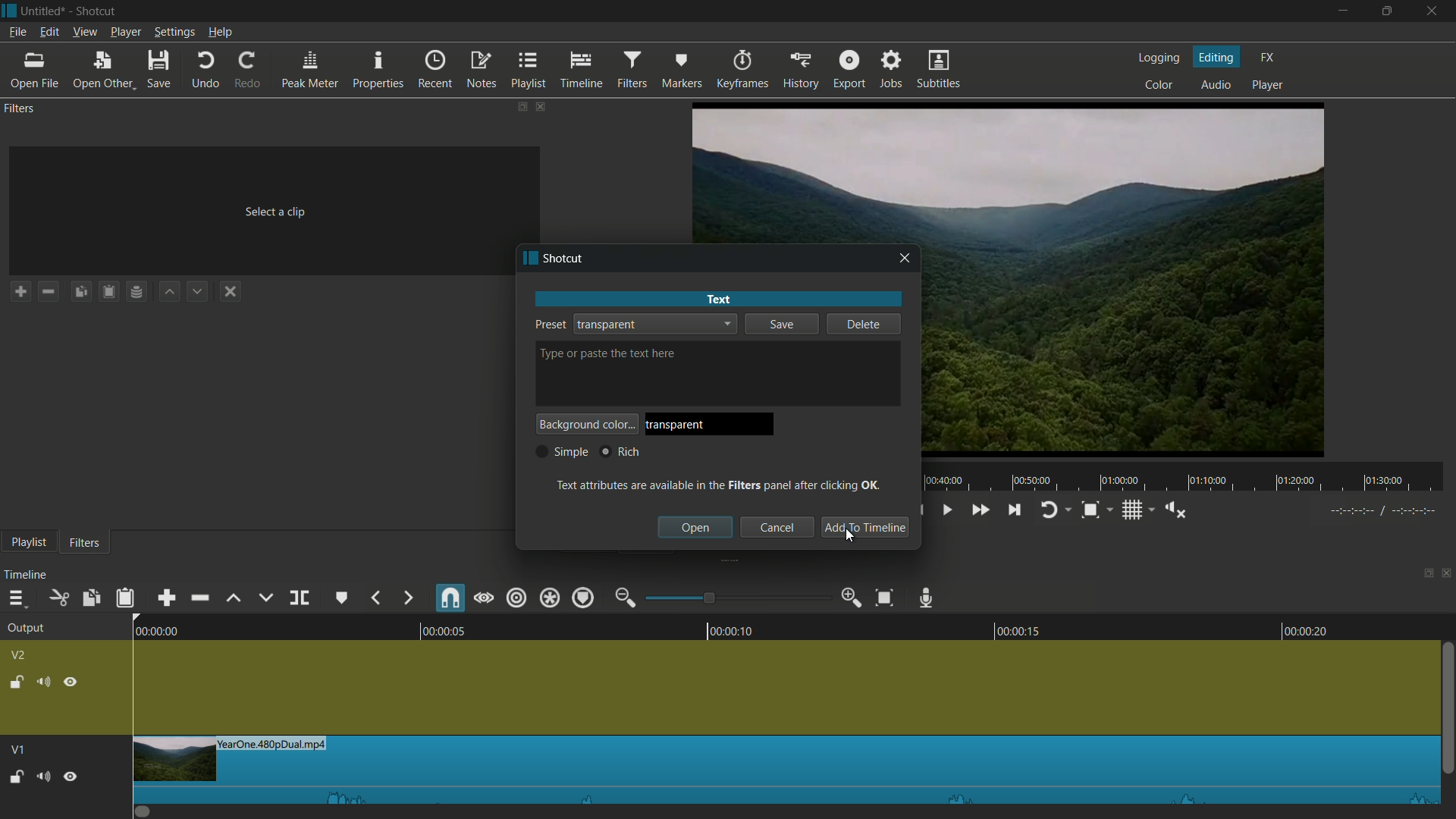 The height and width of the screenshot is (819, 1456). I want to click on mute, so click(42, 681).